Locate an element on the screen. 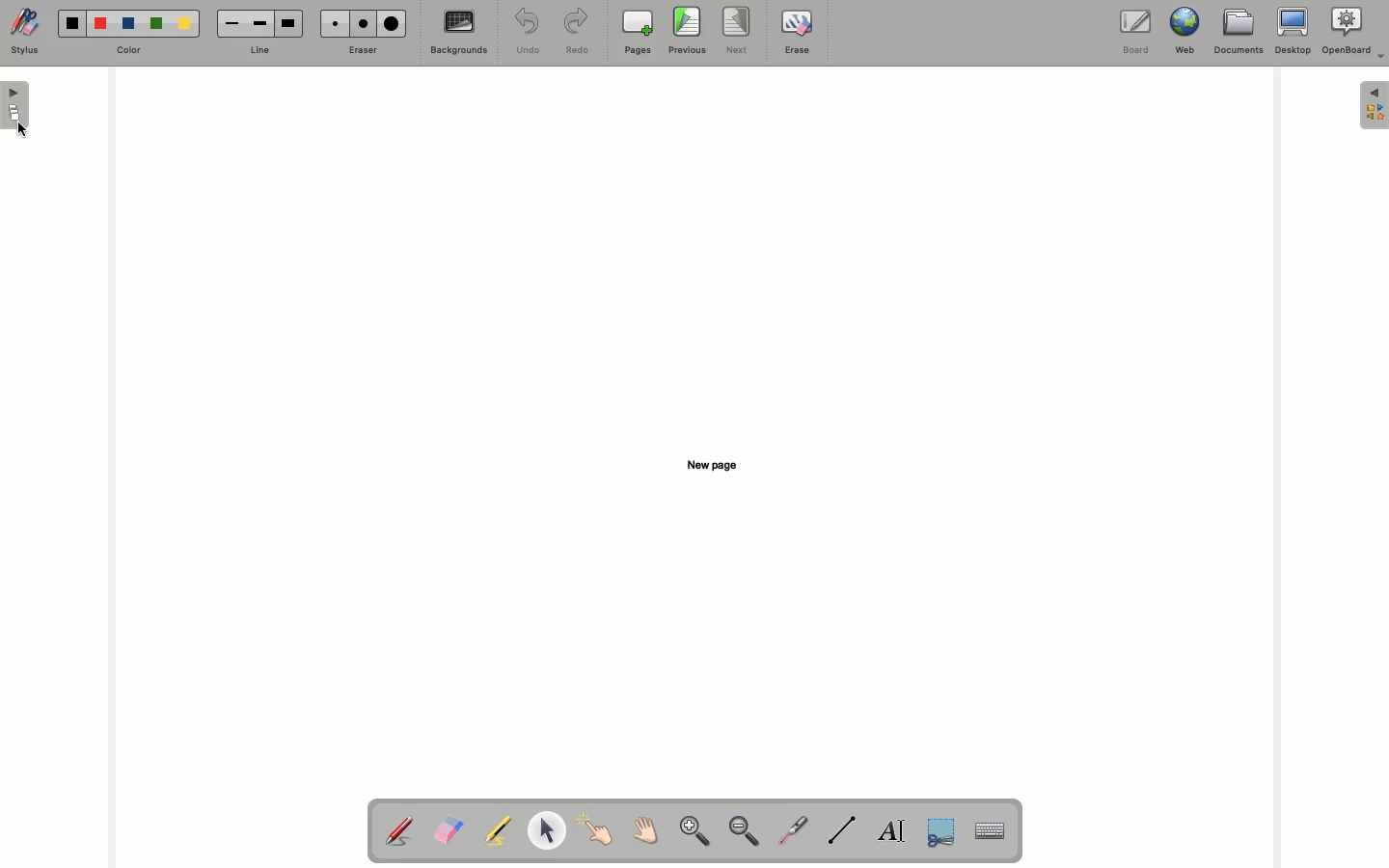 The height and width of the screenshot is (868, 1389). Color 5 is located at coordinates (184, 24).